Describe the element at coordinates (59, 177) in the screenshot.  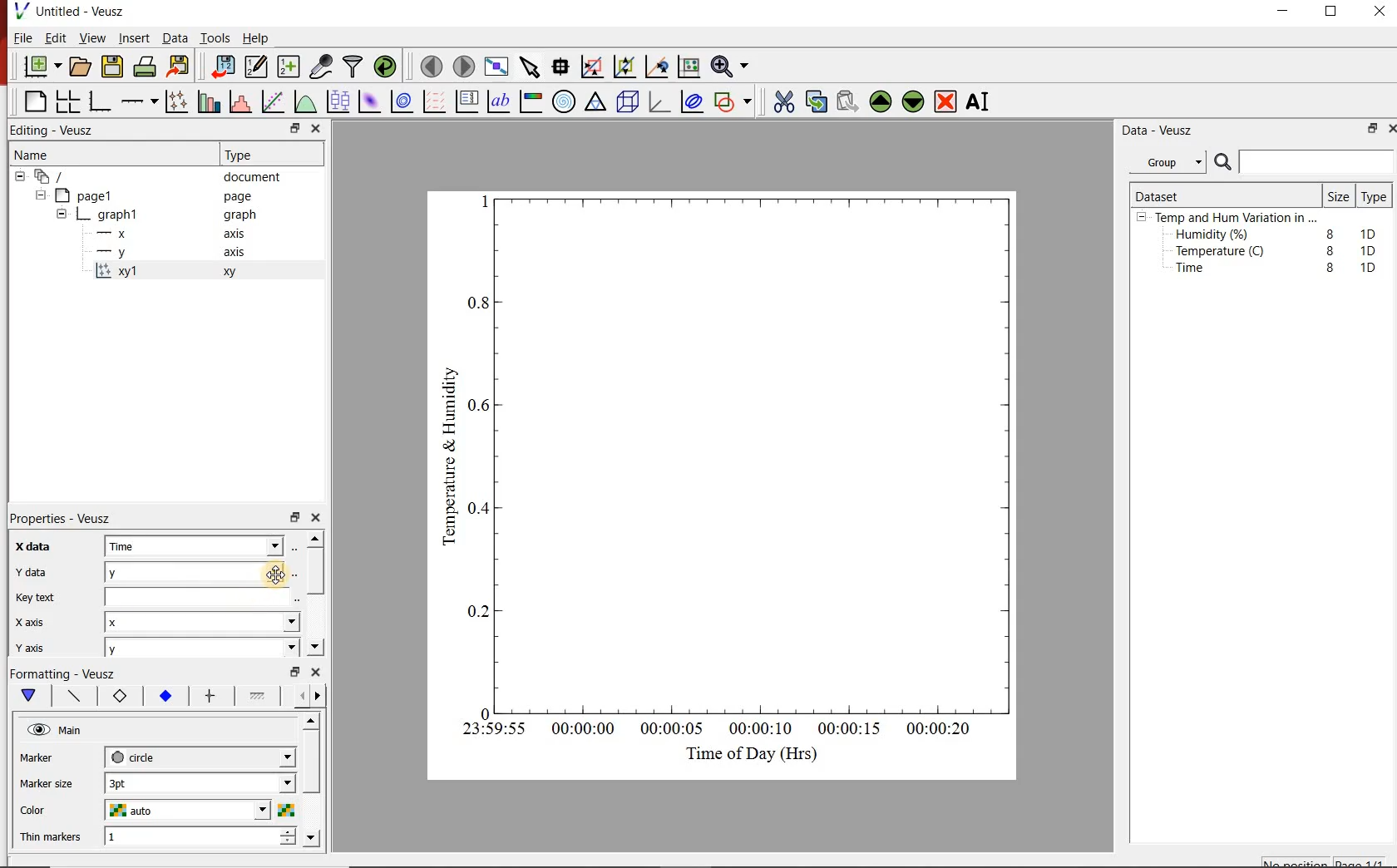
I see `document widget` at that location.